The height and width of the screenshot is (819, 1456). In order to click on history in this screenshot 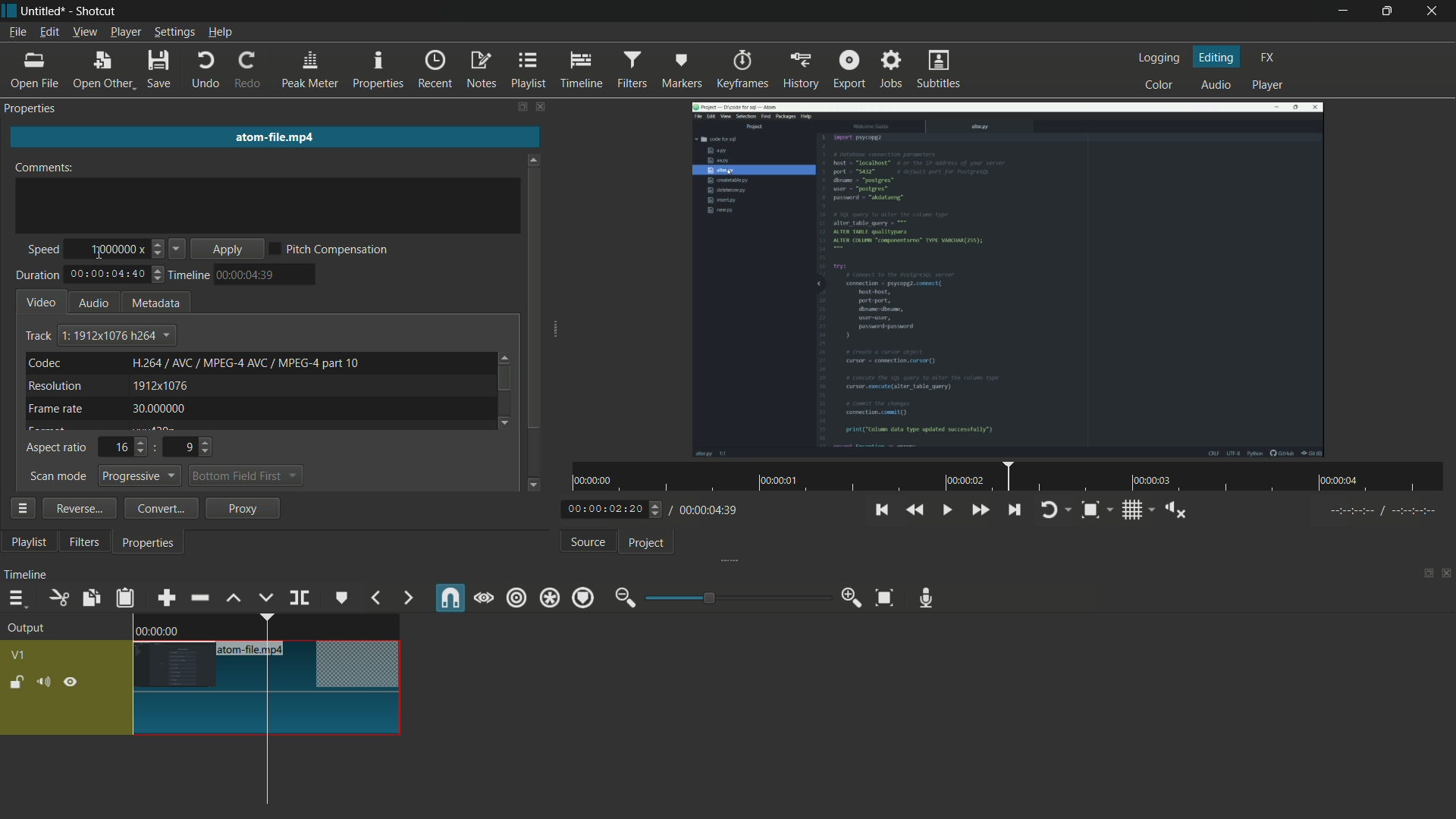, I will do `click(800, 70)`.